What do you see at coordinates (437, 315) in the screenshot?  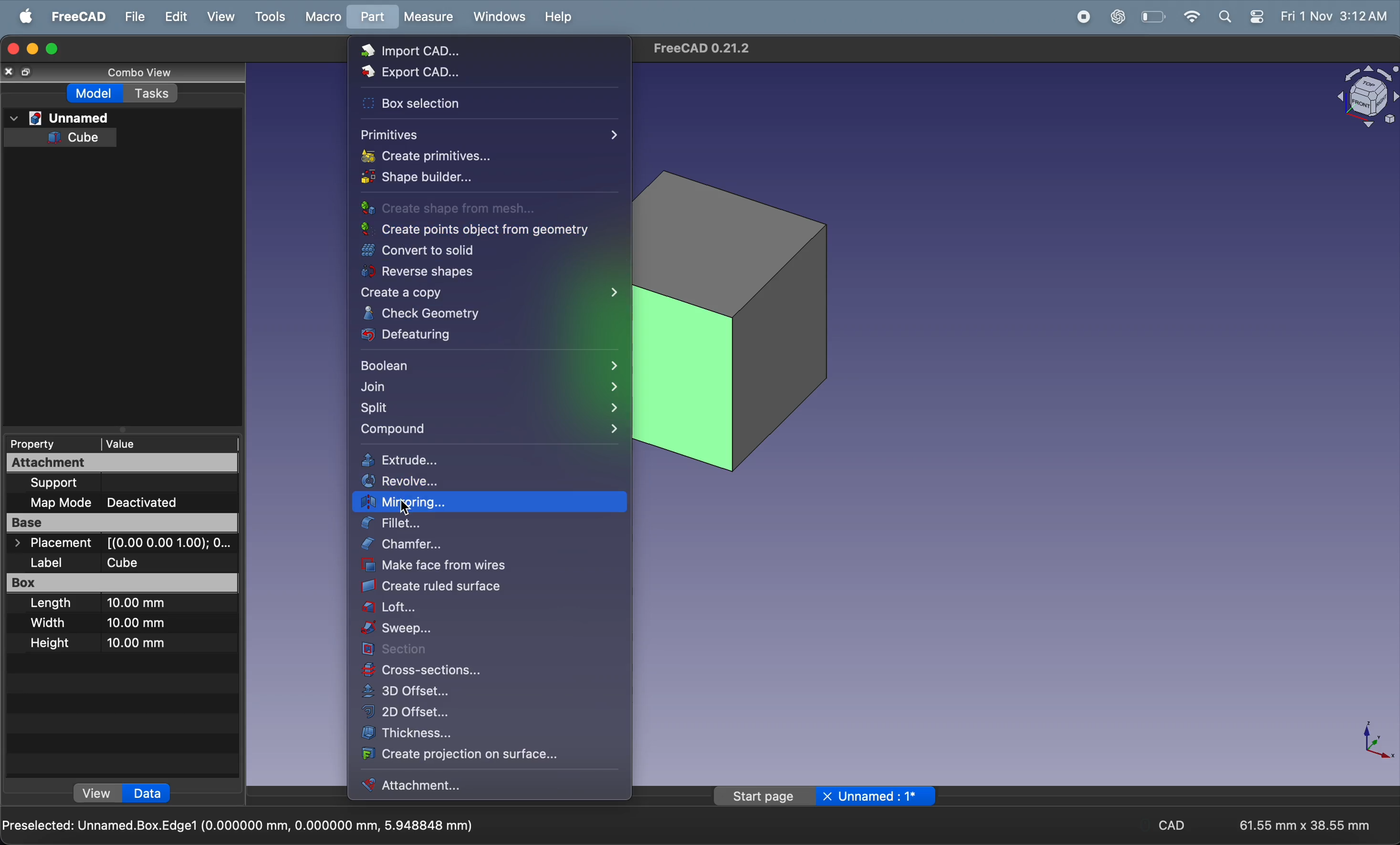 I see `check geometry` at bounding box center [437, 315].